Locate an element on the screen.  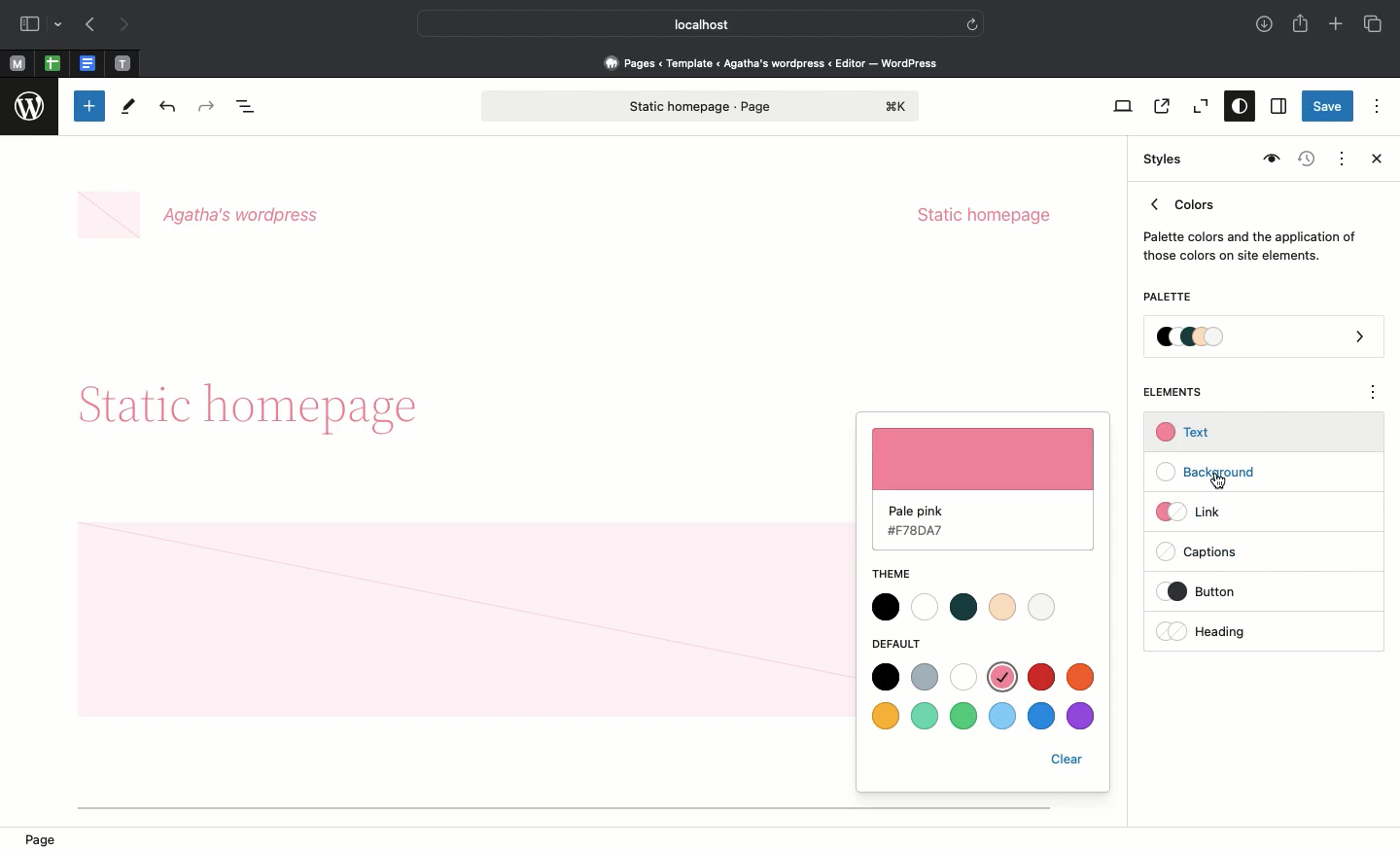
Actions is located at coordinates (1340, 157).